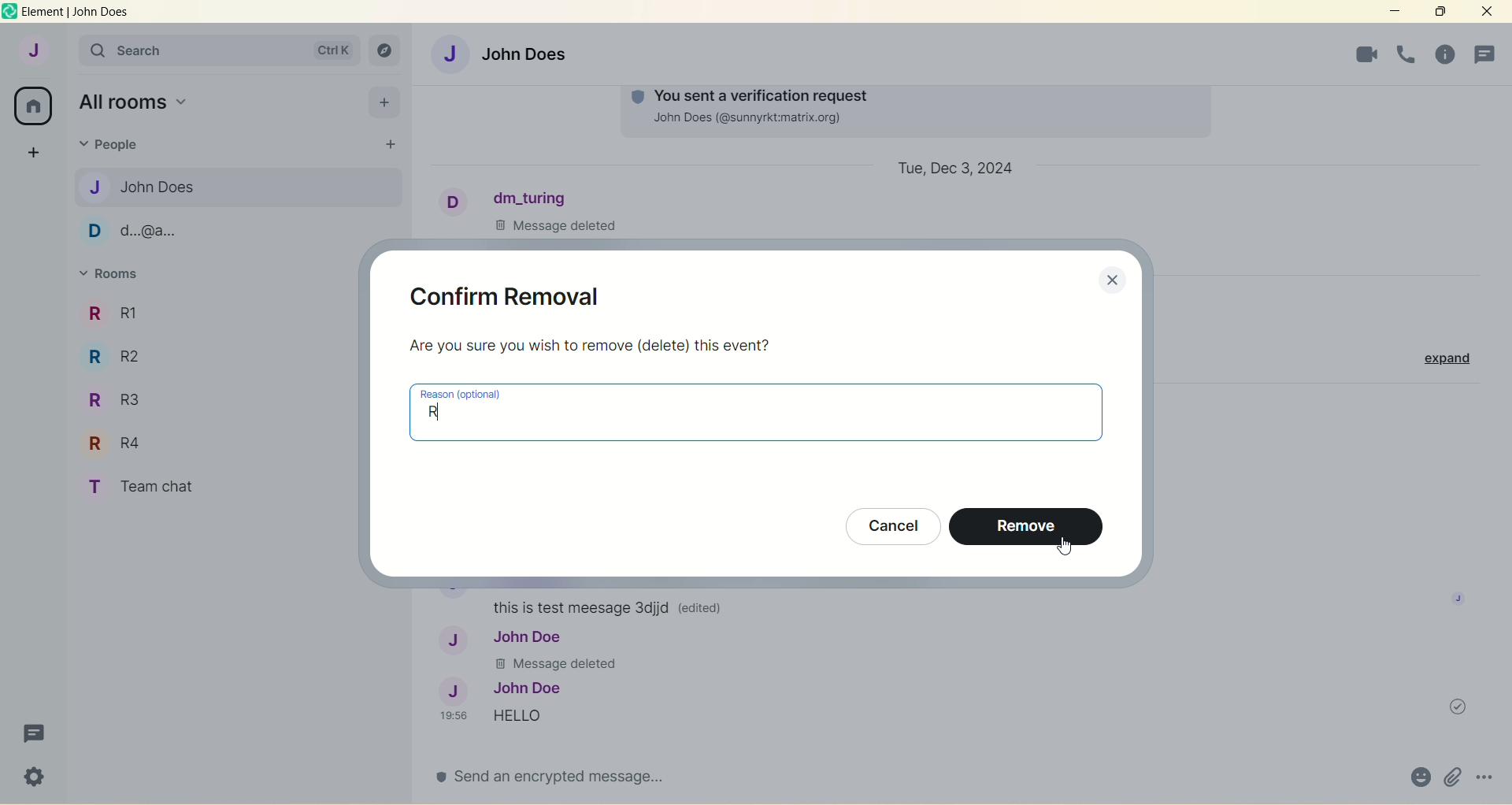 Image resolution: width=1512 pixels, height=805 pixels. Describe the element at coordinates (1483, 13) in the screenshot. I see `close` at that location.